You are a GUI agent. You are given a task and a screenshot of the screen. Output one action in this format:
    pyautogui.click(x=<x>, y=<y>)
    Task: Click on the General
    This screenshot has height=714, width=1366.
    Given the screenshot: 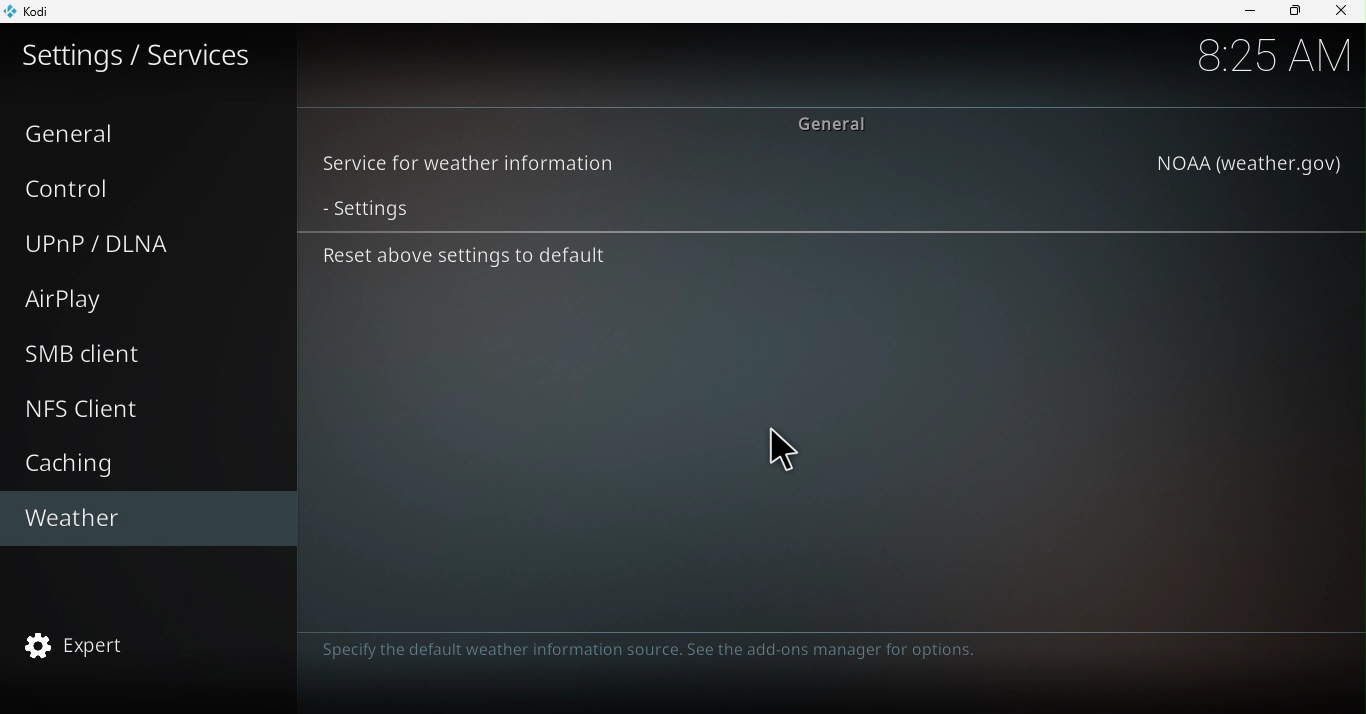 What is the action you would take?
    pyautogui.click(x=839, y=121)
    